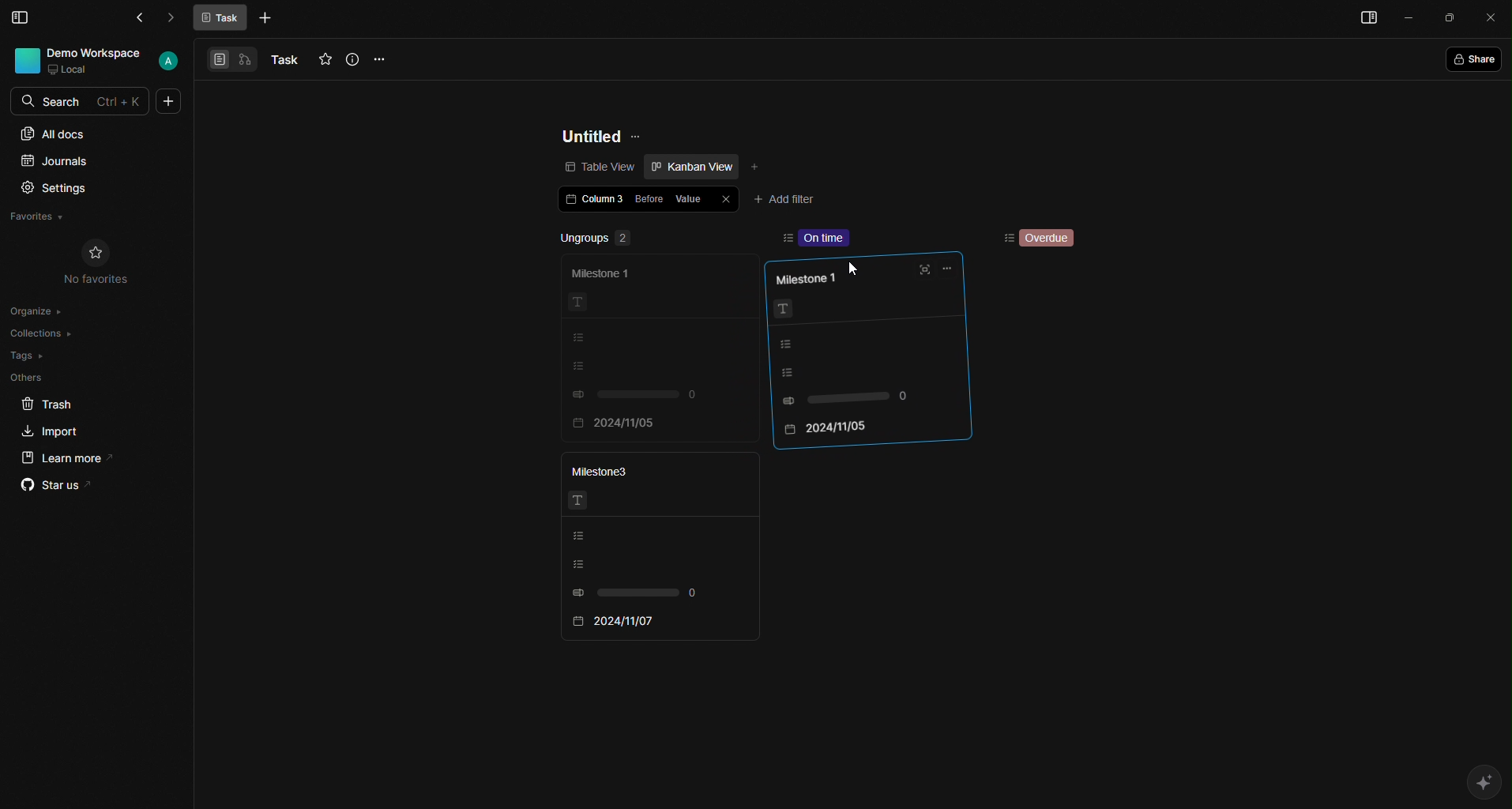 The image size is (1512, 809). I want to click on Journals, so click(55, 160).